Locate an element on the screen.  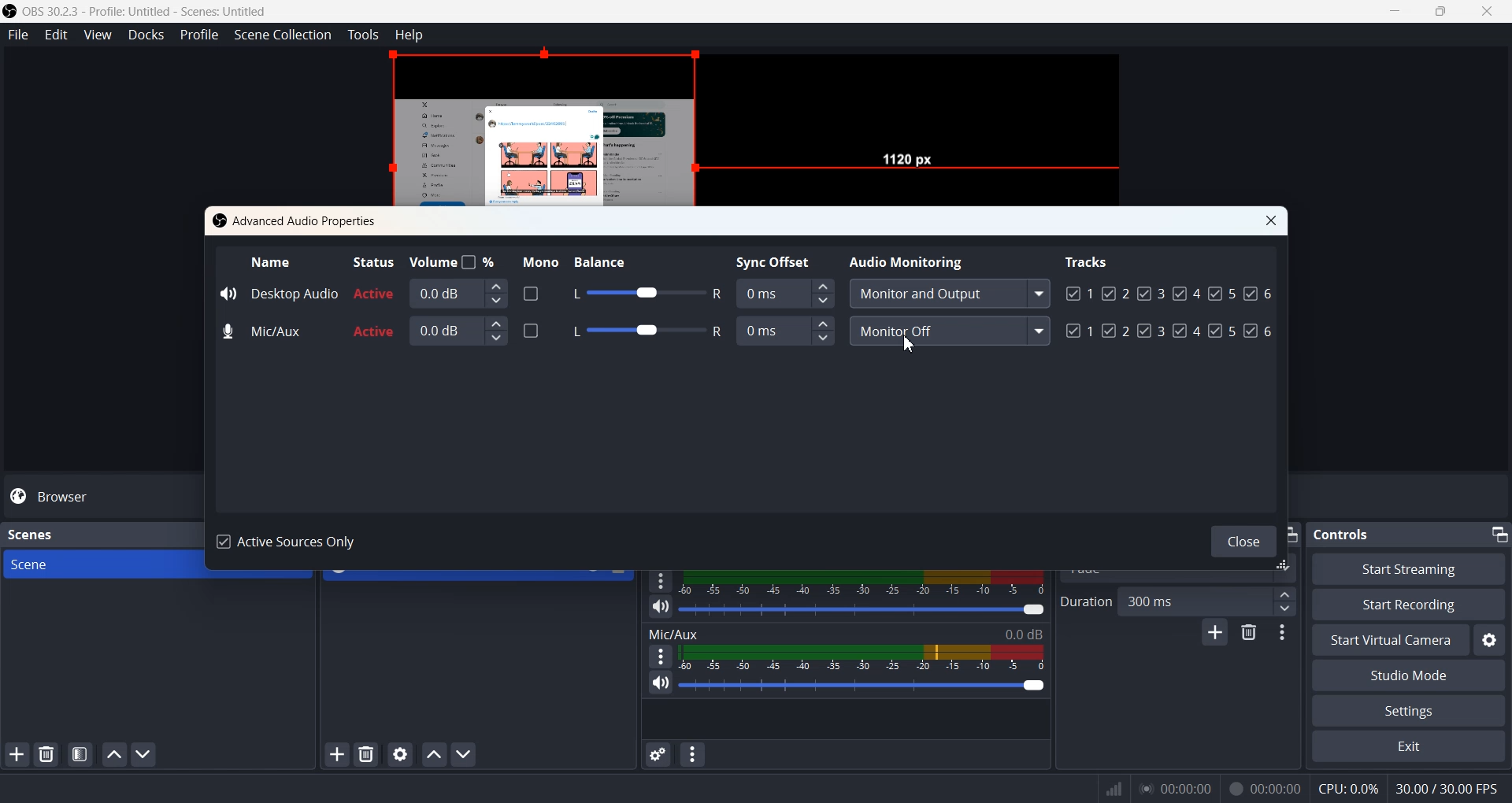
Volume is located at coordinates (454, 261).